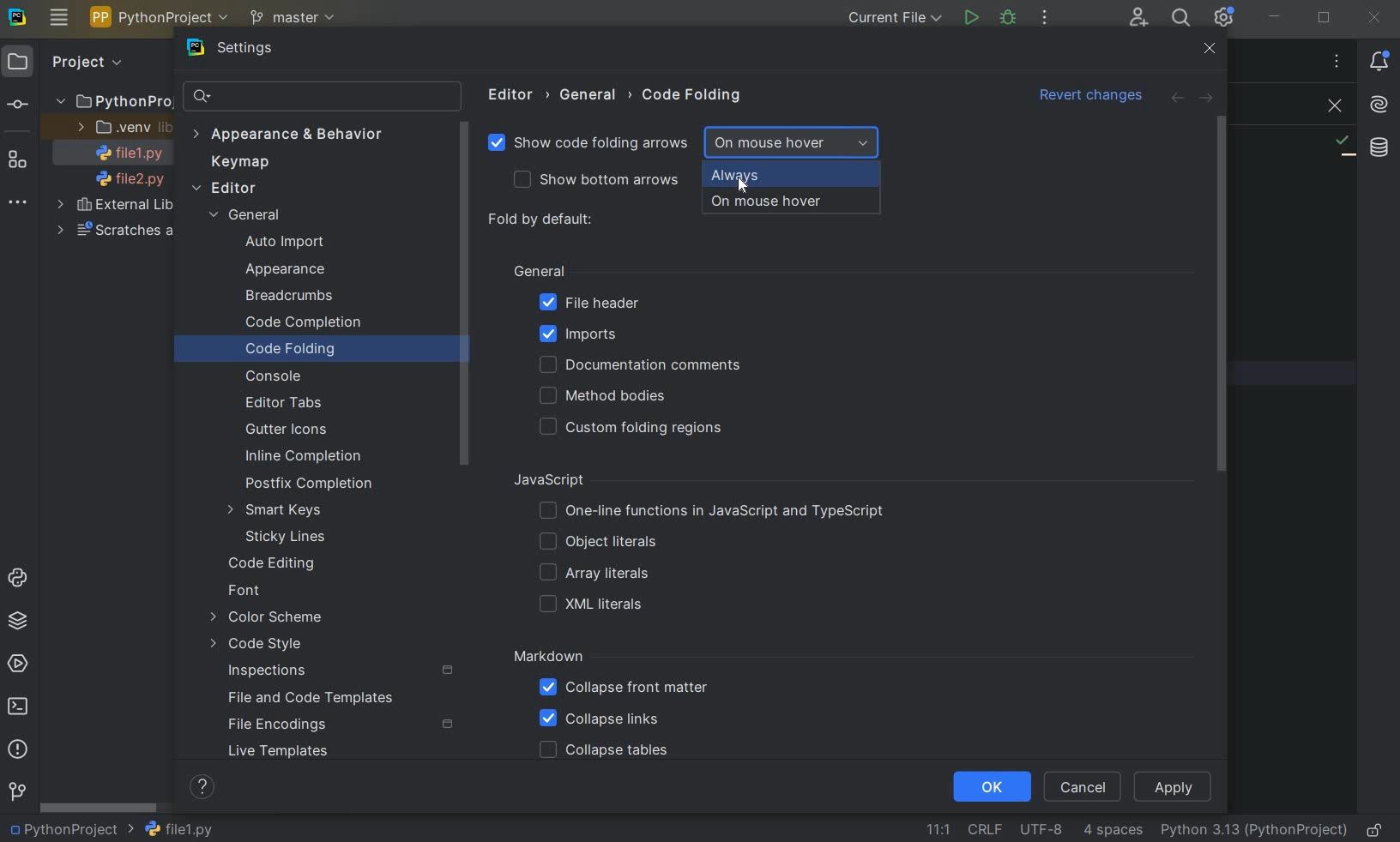  I want to click on SCROLLBAR, so click(1228, 295).